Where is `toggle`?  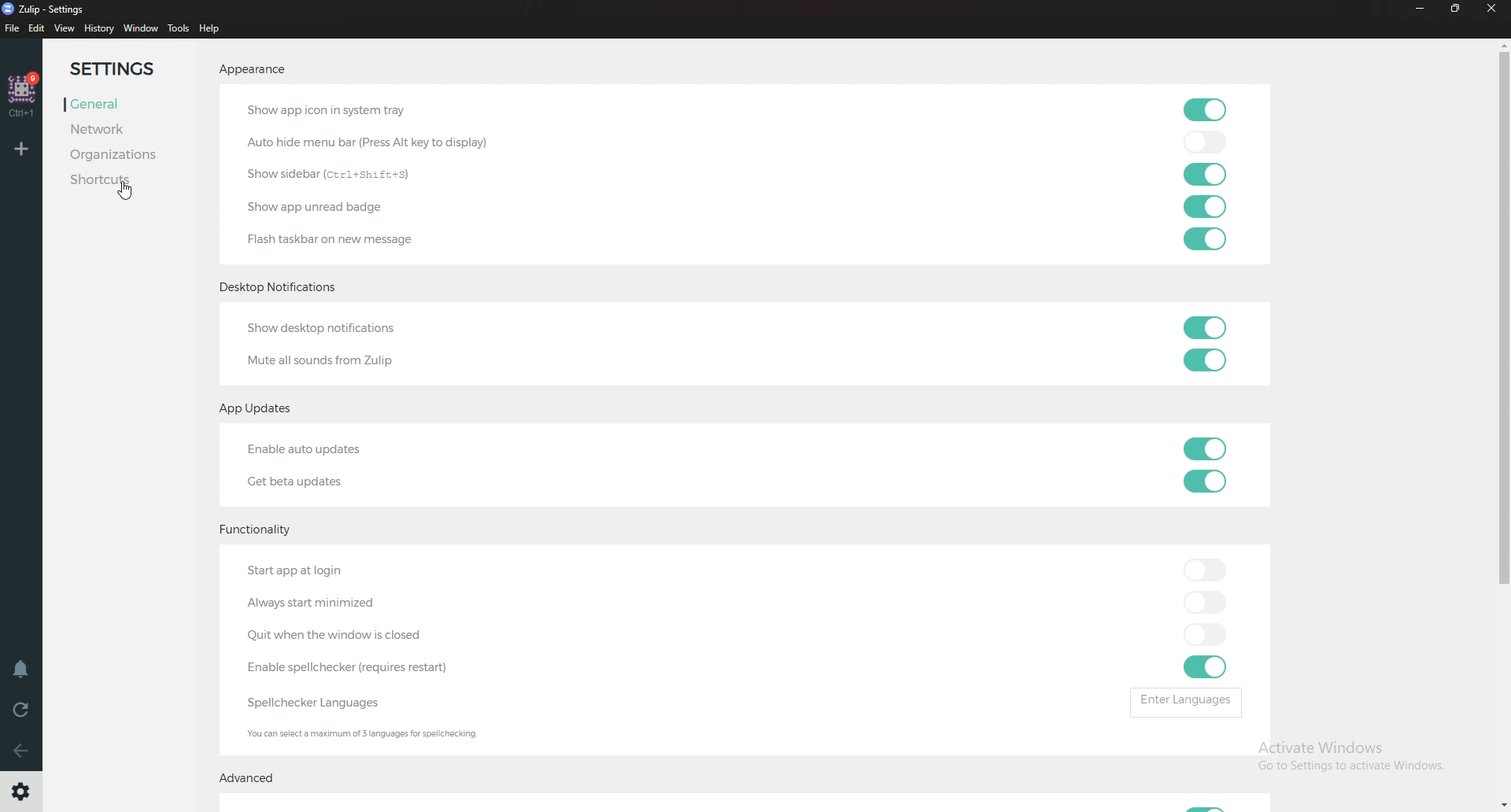 toggle is located at coordinates (1206, 360).